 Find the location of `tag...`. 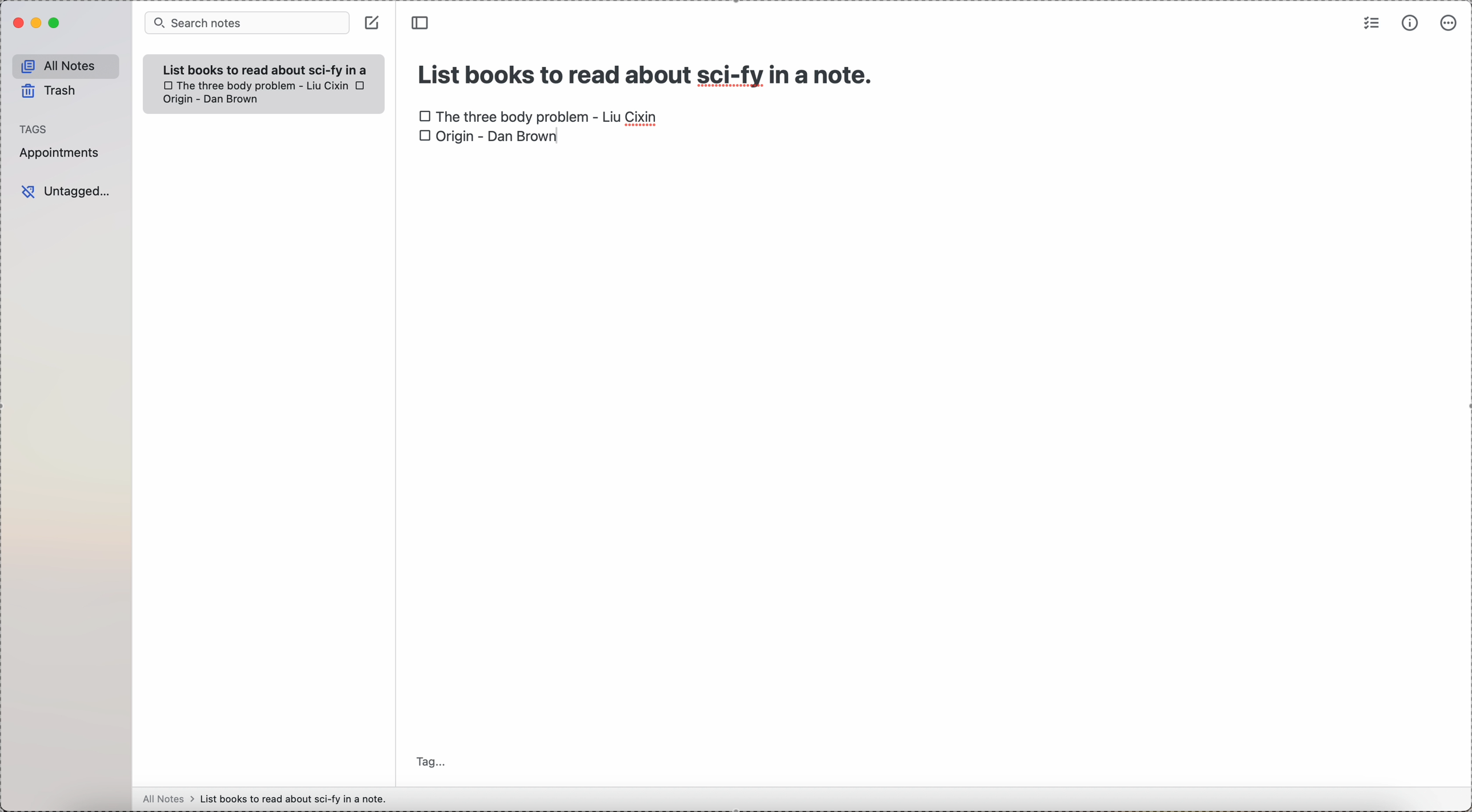

tag... is located at coordinates (433, 763).